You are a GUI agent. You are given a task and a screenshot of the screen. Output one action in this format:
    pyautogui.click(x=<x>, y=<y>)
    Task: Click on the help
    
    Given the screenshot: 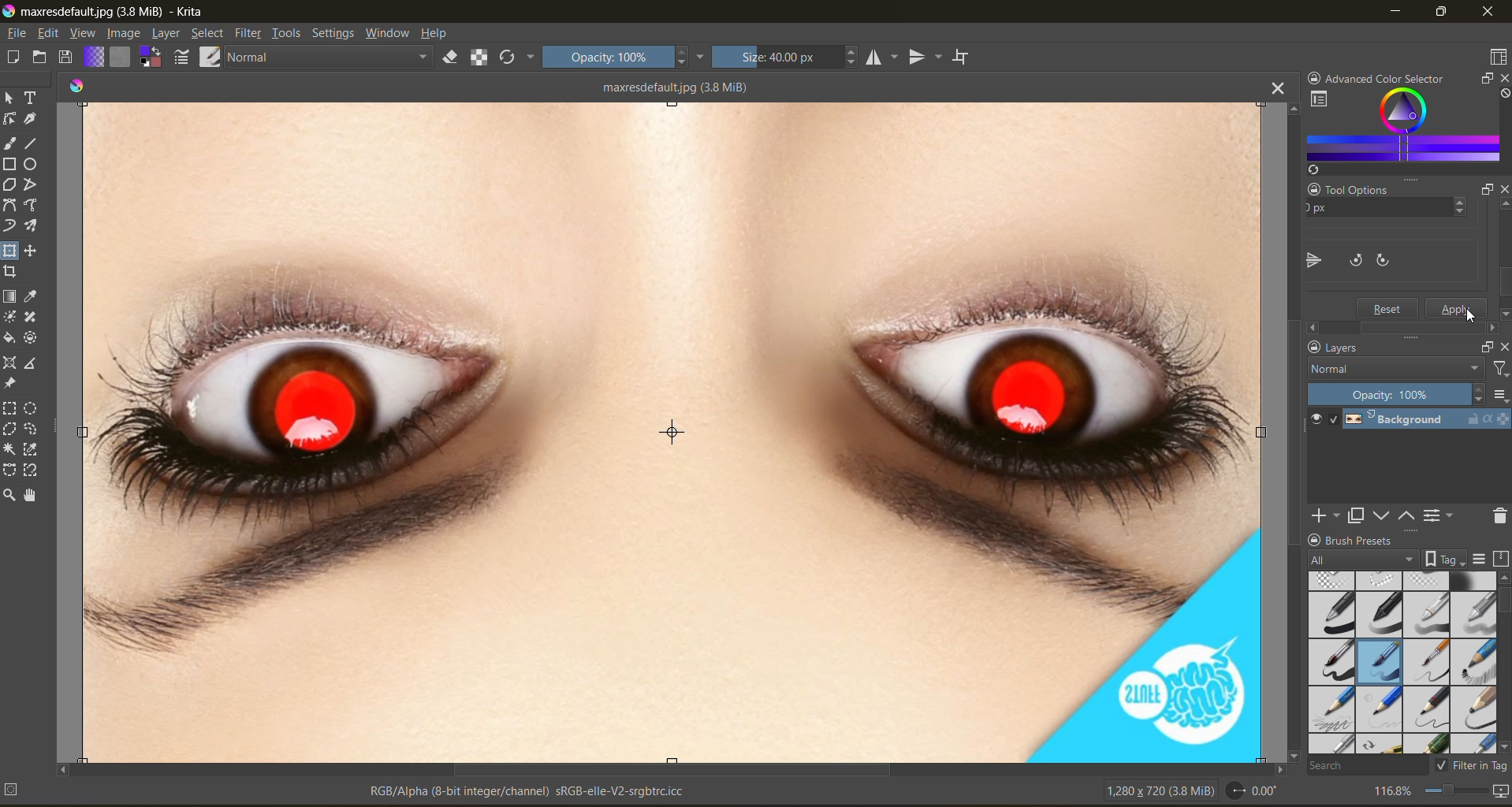 What is the action you would take?
    pyautogui.click(x=438, y=33)
    